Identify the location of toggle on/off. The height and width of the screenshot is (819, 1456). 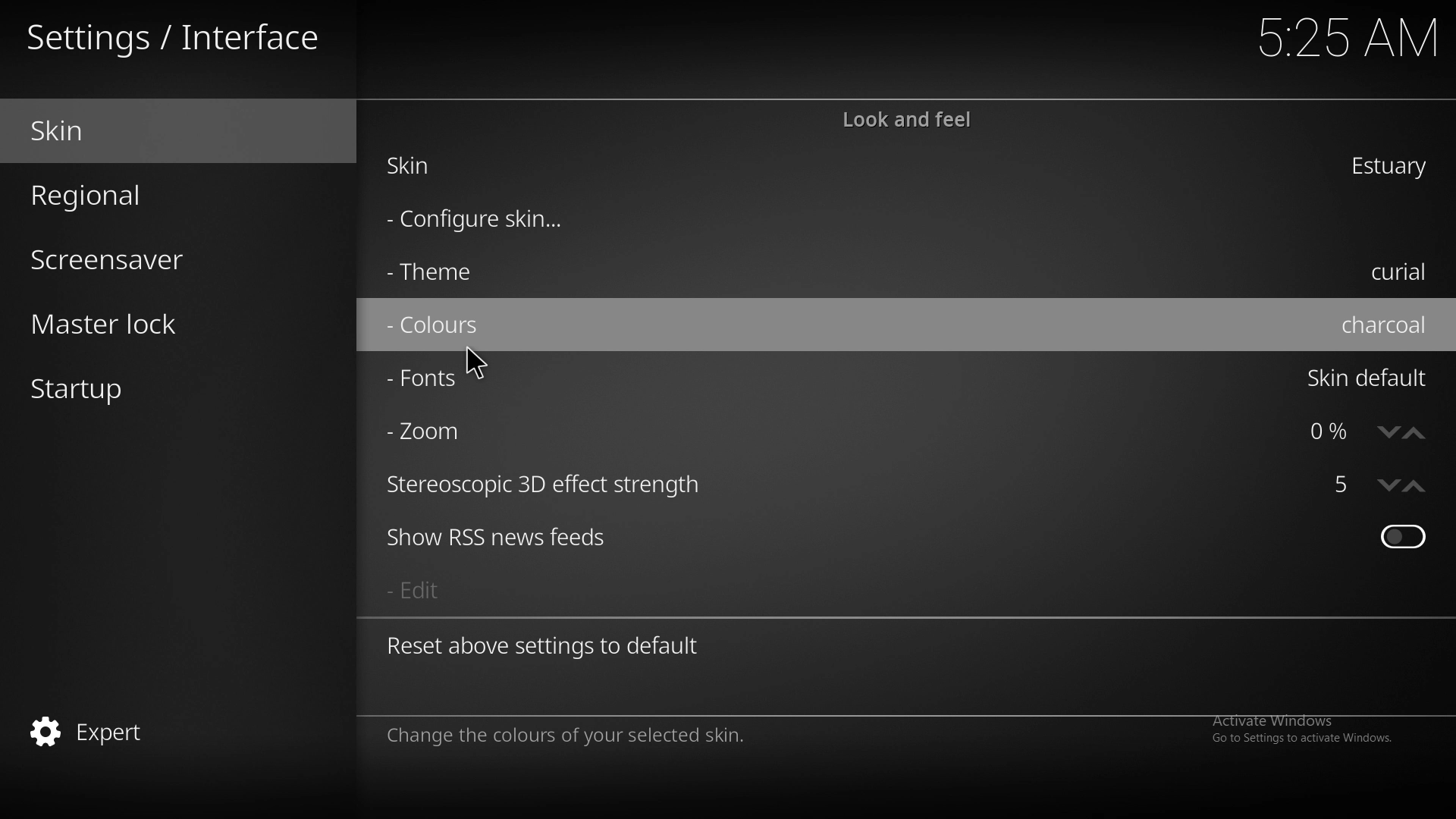
(1403, 539).